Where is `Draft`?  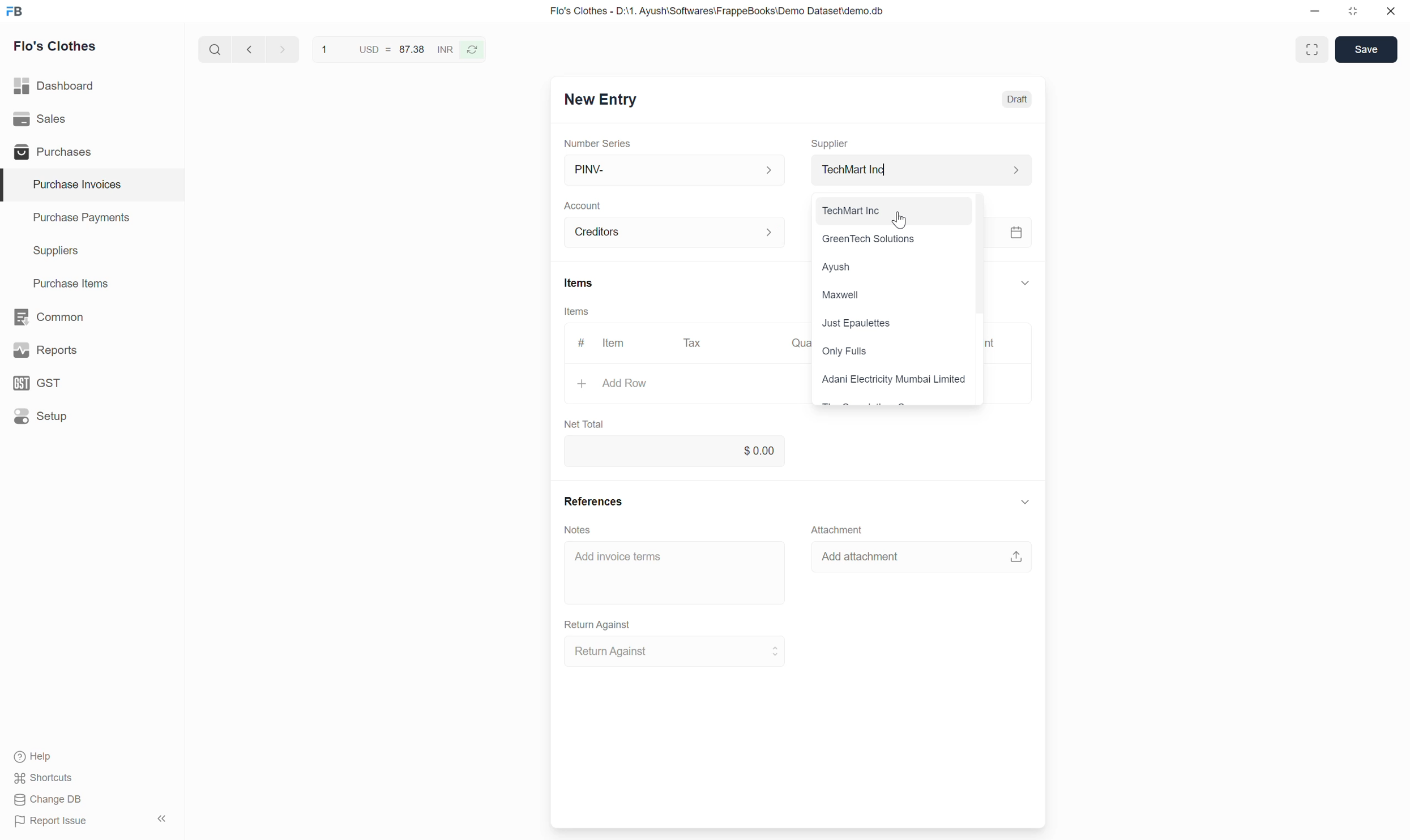
Draft is located at coordinates (1018, 100).